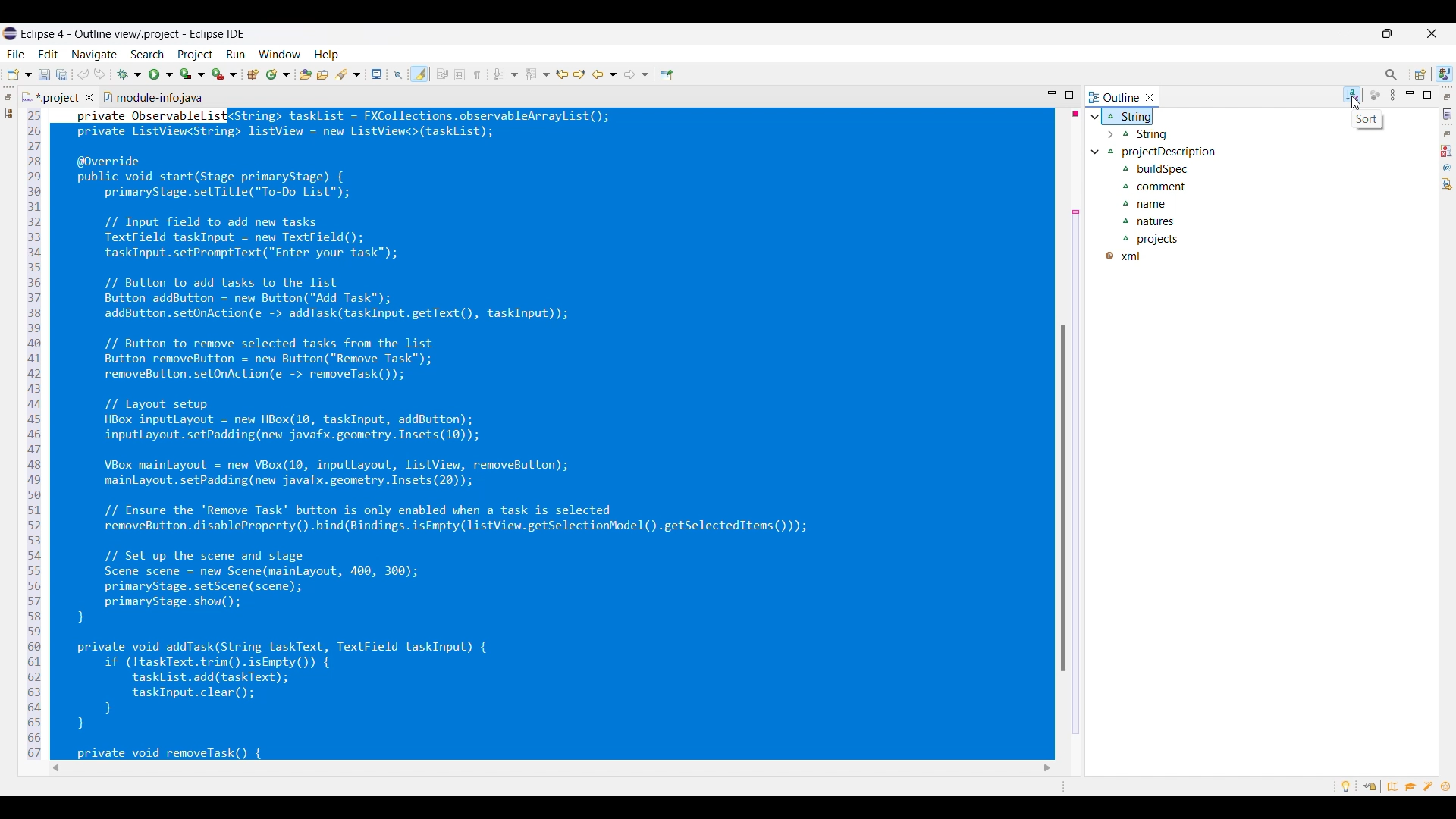 The height and width of the screenshot is (819, 1456). Describe the element at coordinates (348, 74) in the screenshot. I see `Search options` at that location.